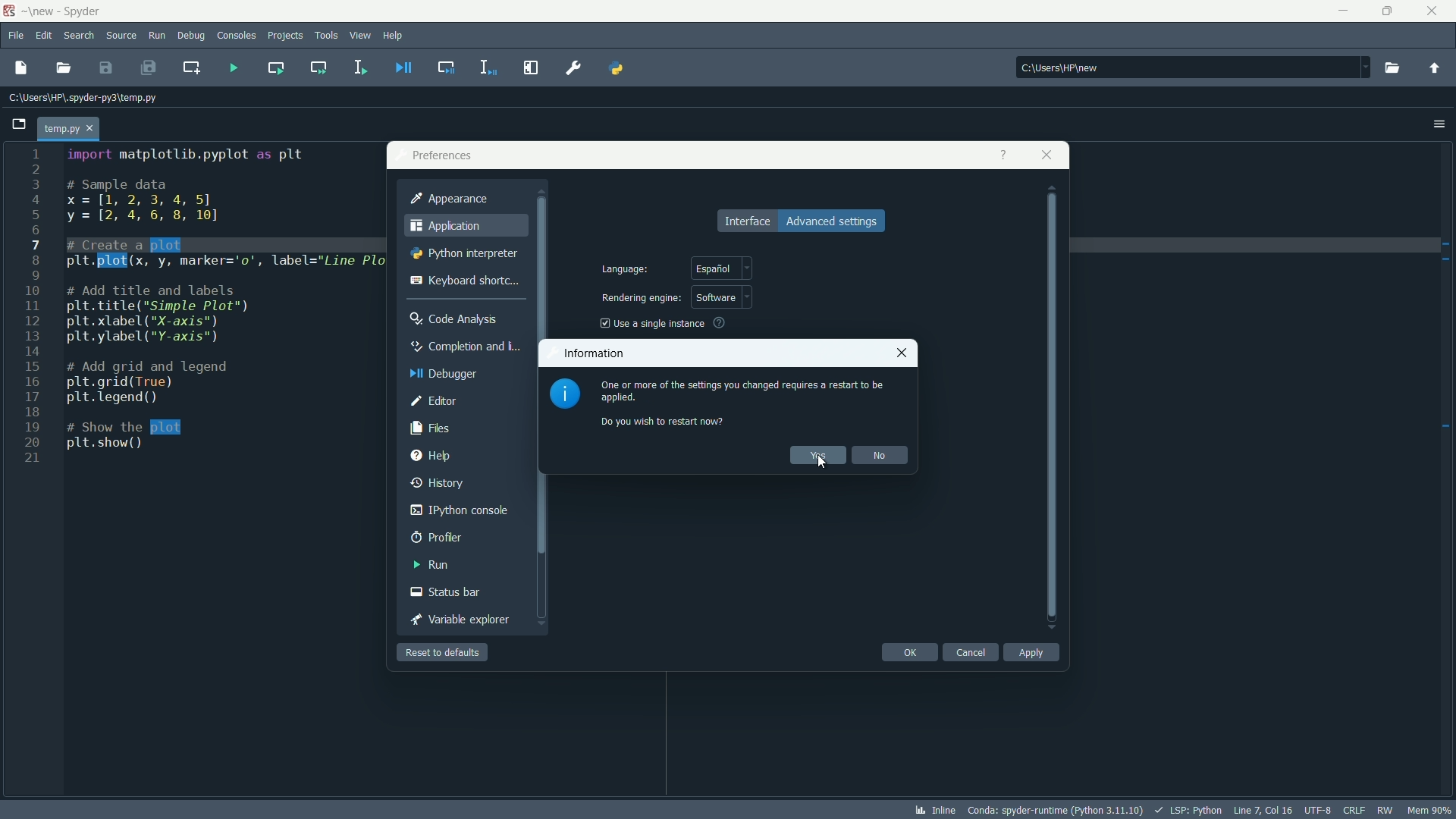 The image size is (1456, 819). What do you see at coordinates (447, 67) in the screenshot?
I see `debug cell` at bounding box center [447, 67].